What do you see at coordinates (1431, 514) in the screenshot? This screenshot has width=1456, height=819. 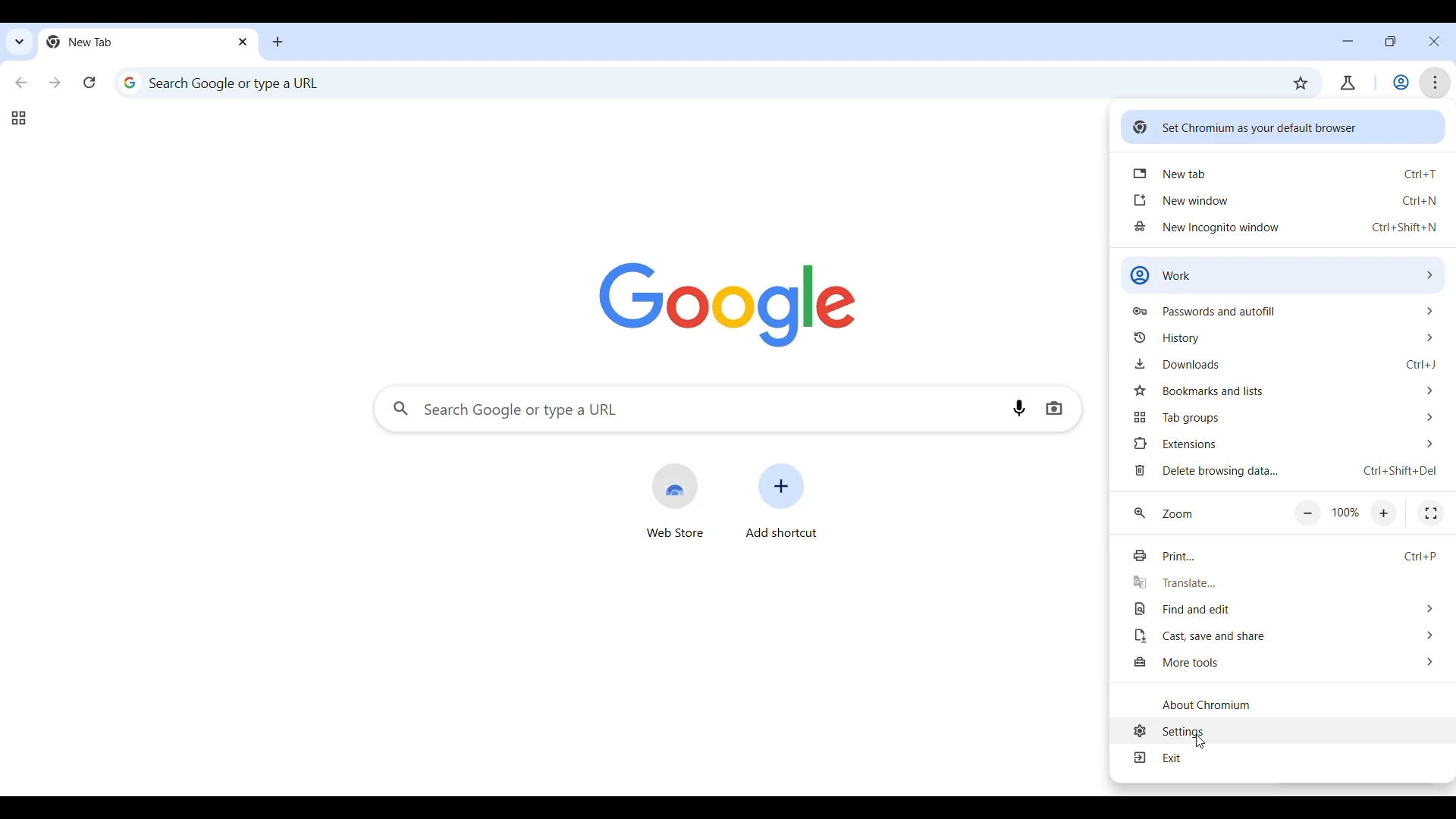 I see `Fullscreen` at bounding box center [1431, 514].